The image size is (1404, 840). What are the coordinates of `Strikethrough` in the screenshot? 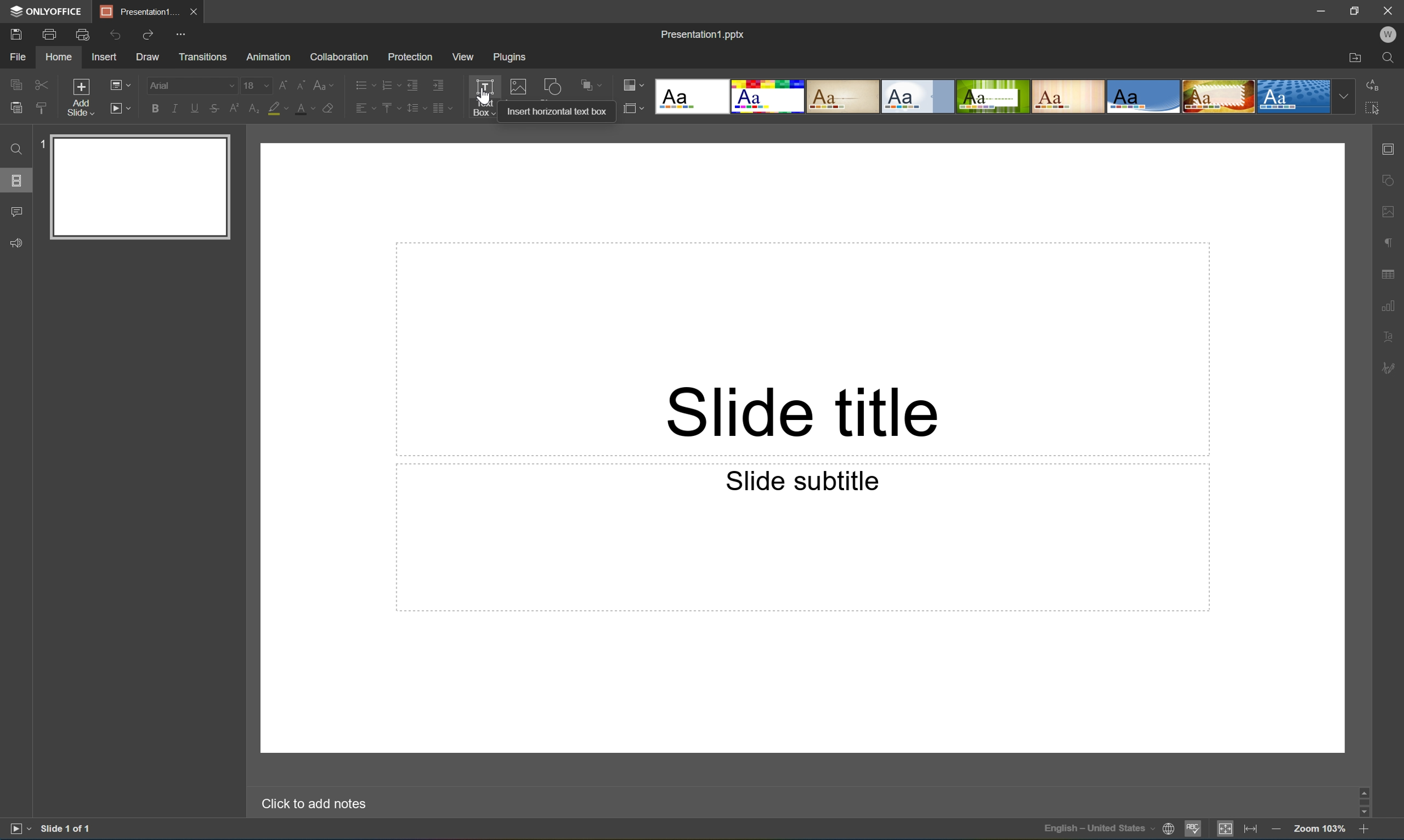 It's located at (214, 109).